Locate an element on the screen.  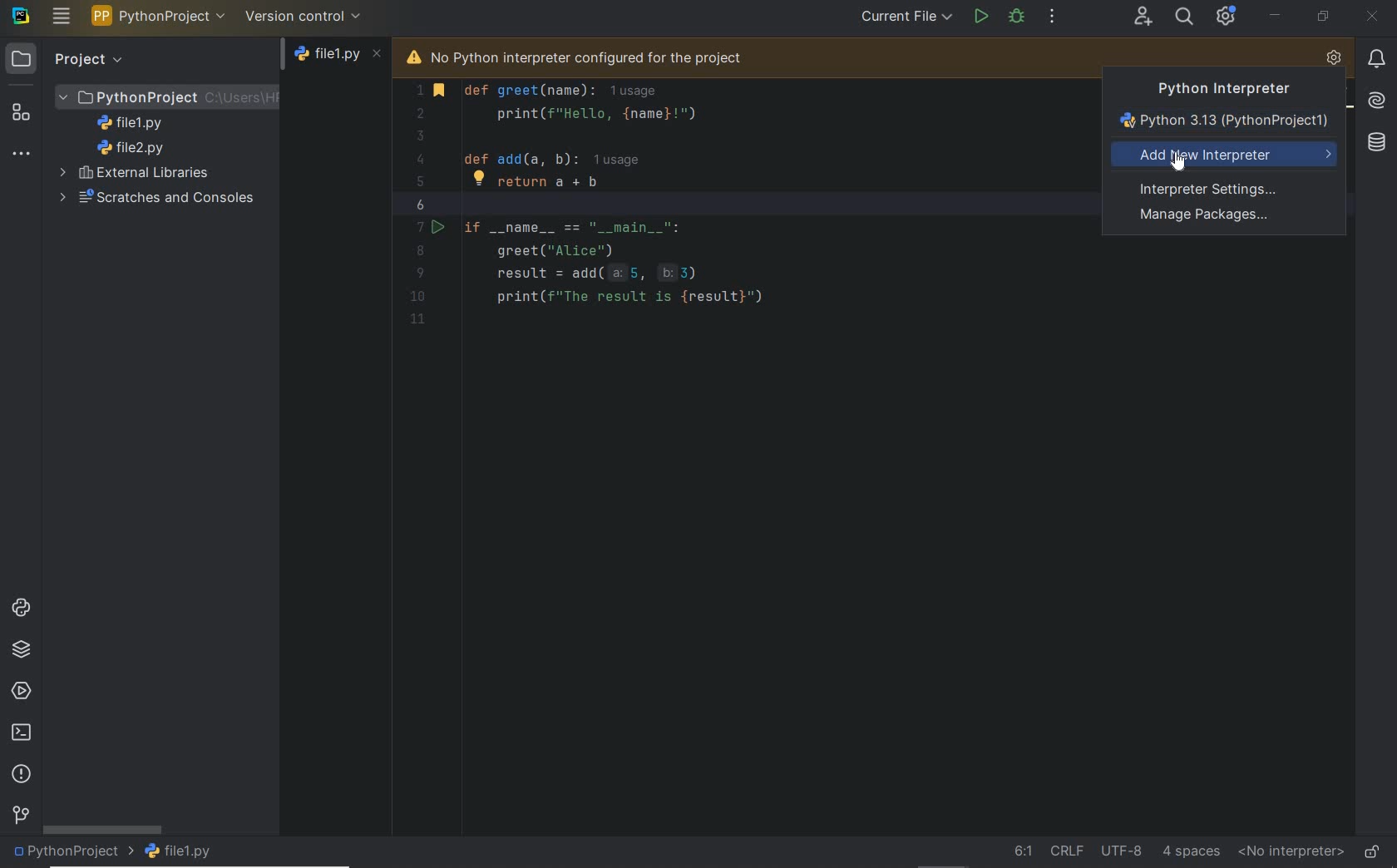
more actions is located at coordinates (1053, 17).